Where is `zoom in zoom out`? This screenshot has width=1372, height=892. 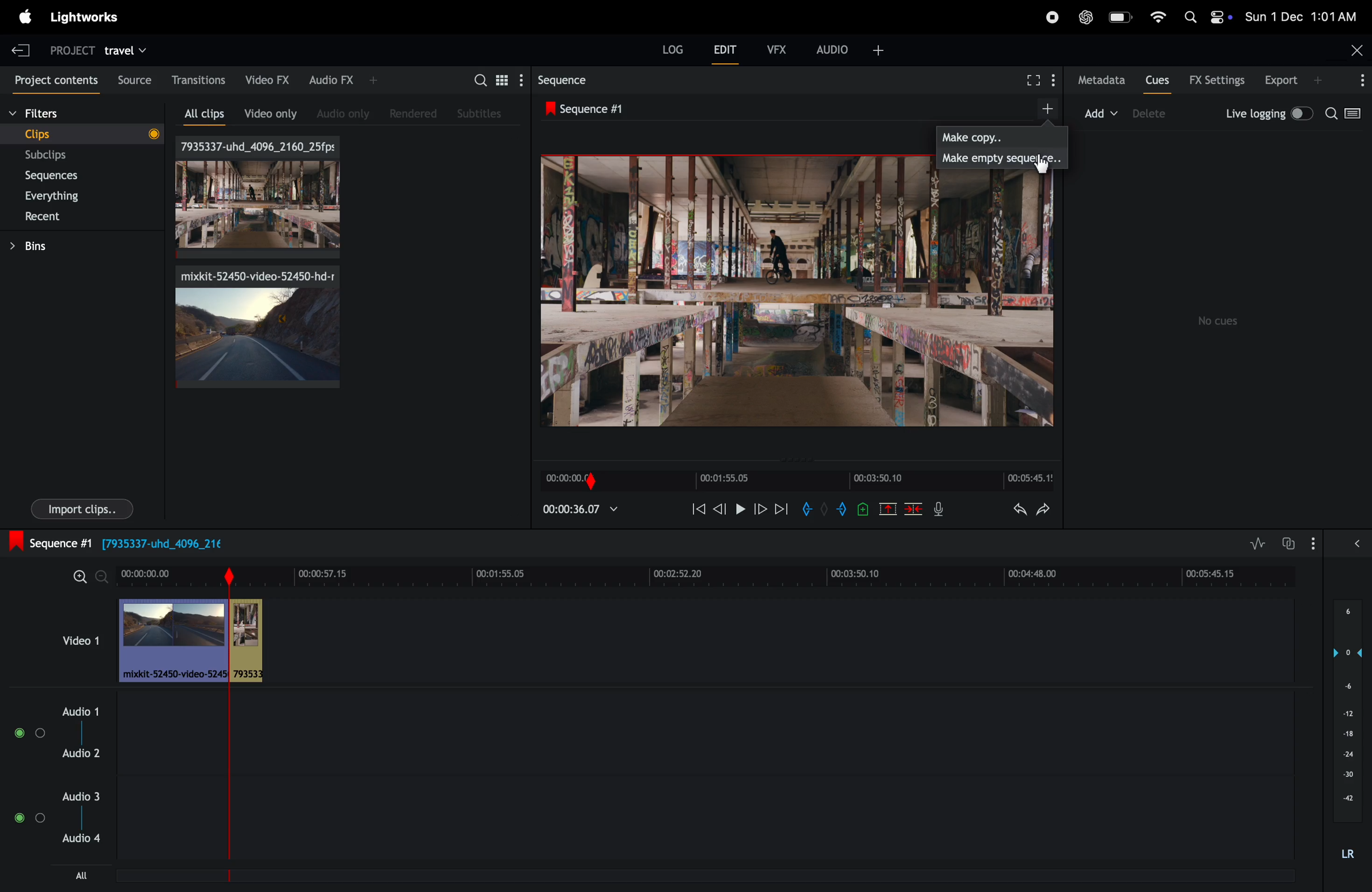 zoom in zoom out is located at coordinates (89, 575).